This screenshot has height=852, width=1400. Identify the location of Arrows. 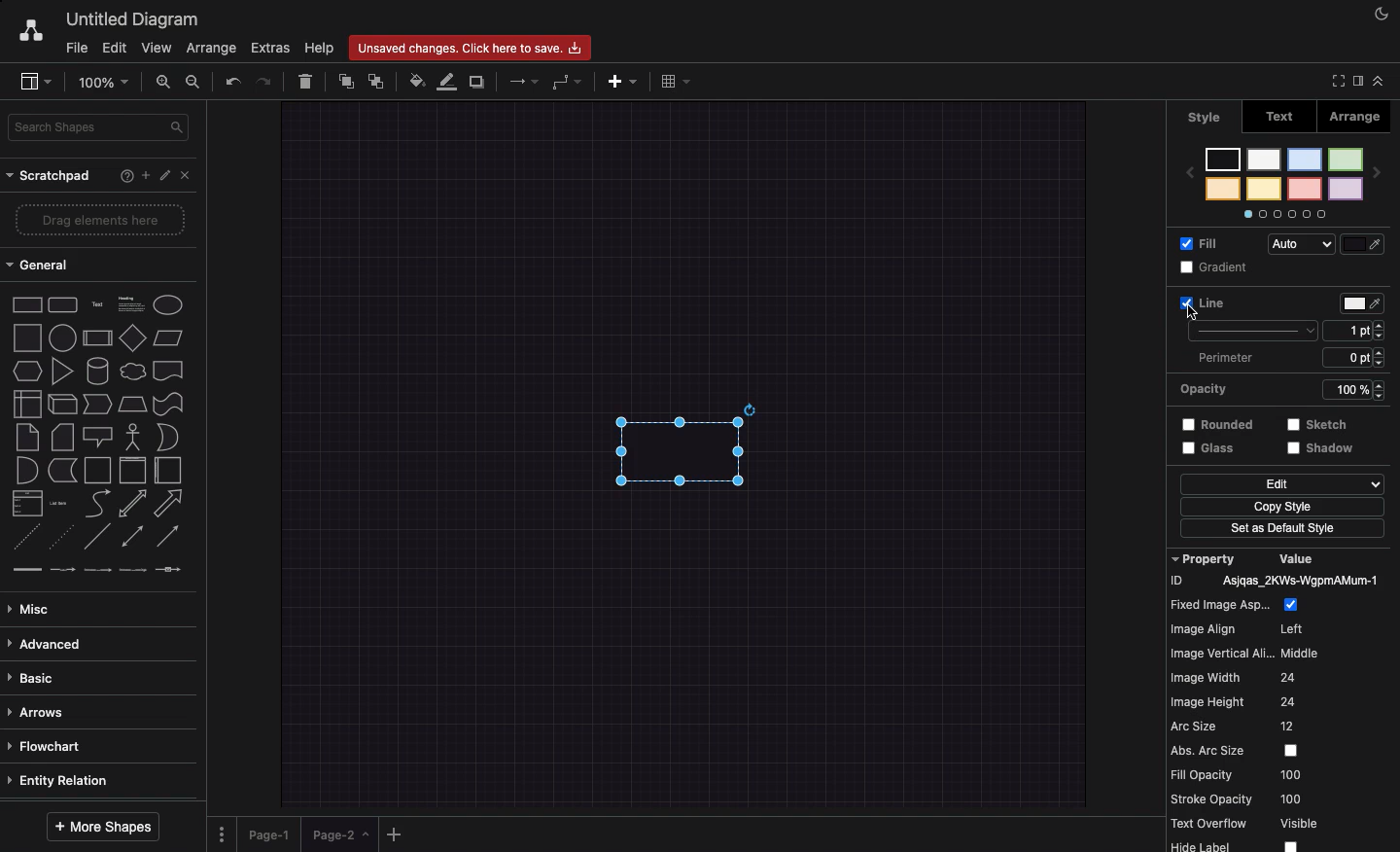
(518, 80).